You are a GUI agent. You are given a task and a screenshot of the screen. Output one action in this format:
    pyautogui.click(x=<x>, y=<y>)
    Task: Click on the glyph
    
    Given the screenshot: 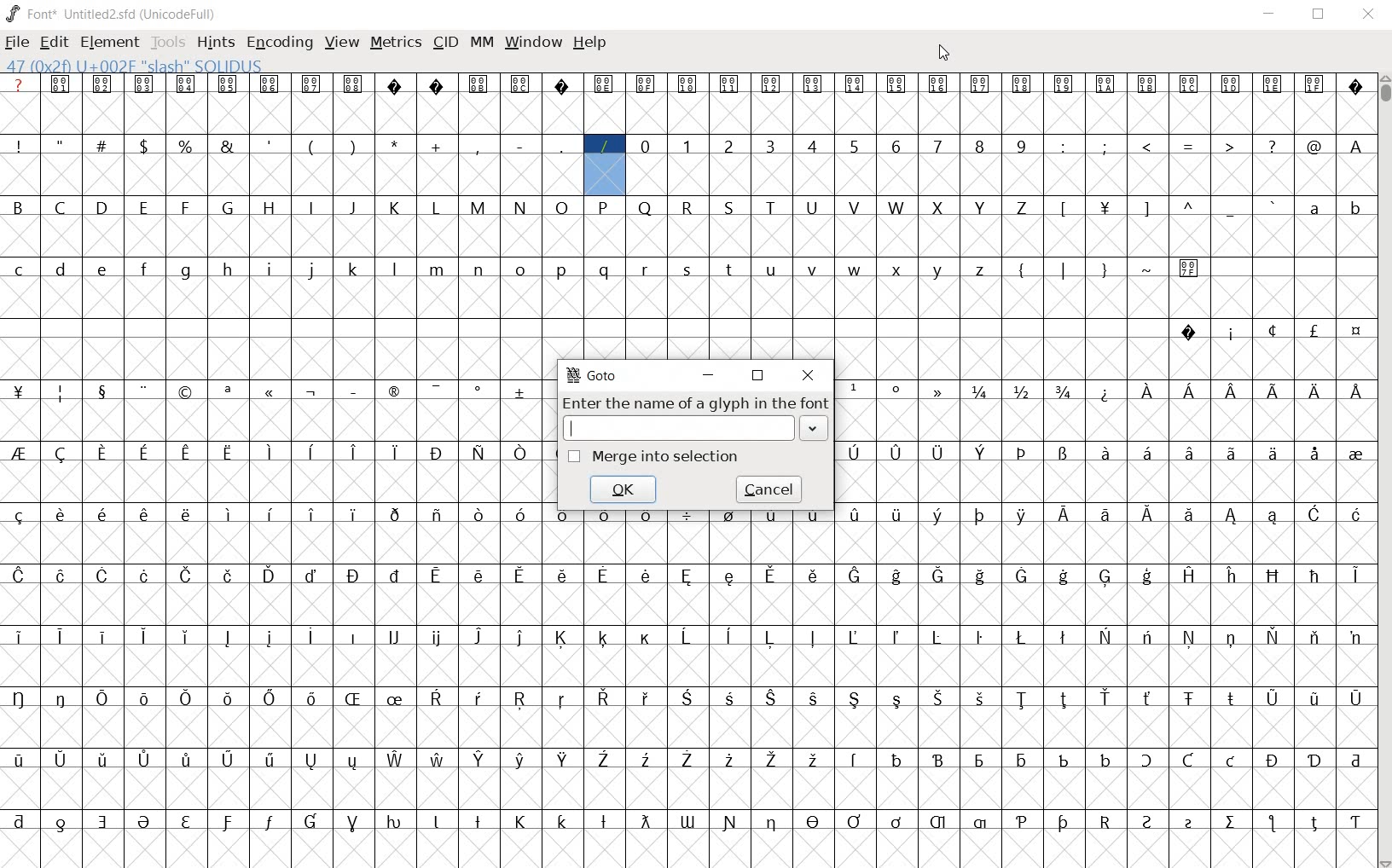 What is the action you would take?
    pyautogui.click(x=731, y=698)
    